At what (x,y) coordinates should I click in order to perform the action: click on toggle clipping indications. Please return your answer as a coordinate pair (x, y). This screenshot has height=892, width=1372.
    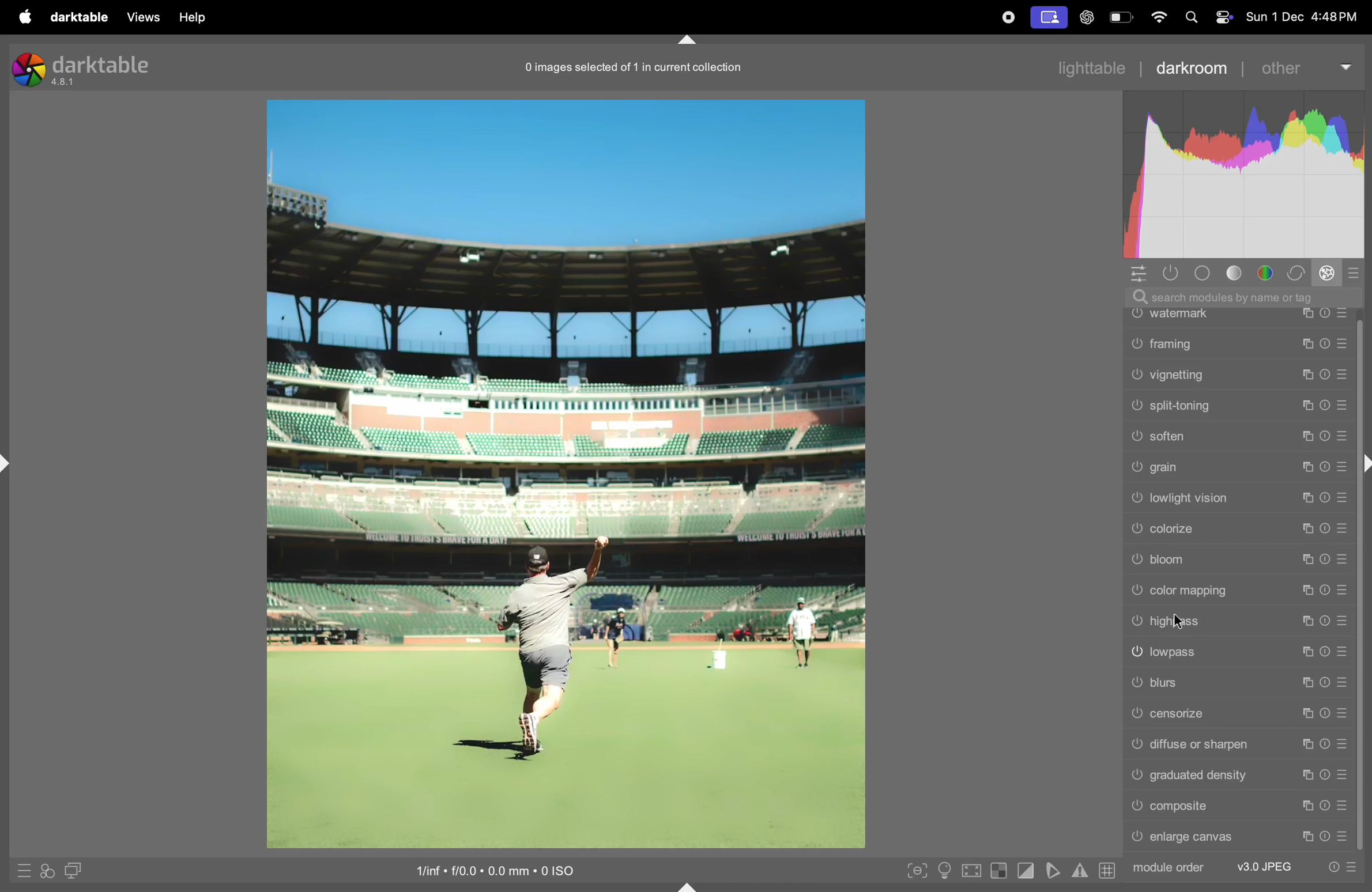
    Looking at the image, I should click on (1025, 872).